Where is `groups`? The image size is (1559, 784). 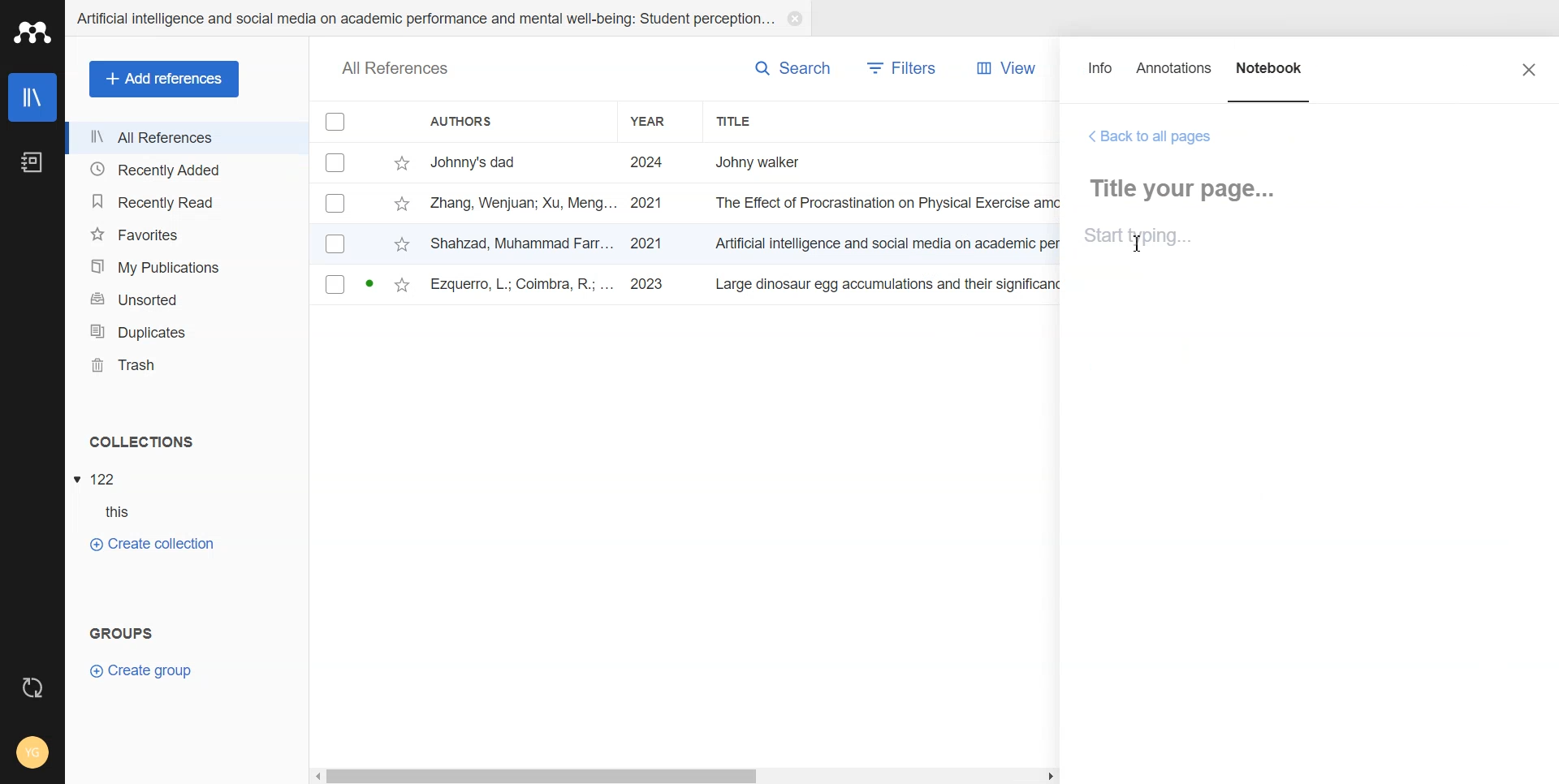
groups is located at coordinates (123, 631).